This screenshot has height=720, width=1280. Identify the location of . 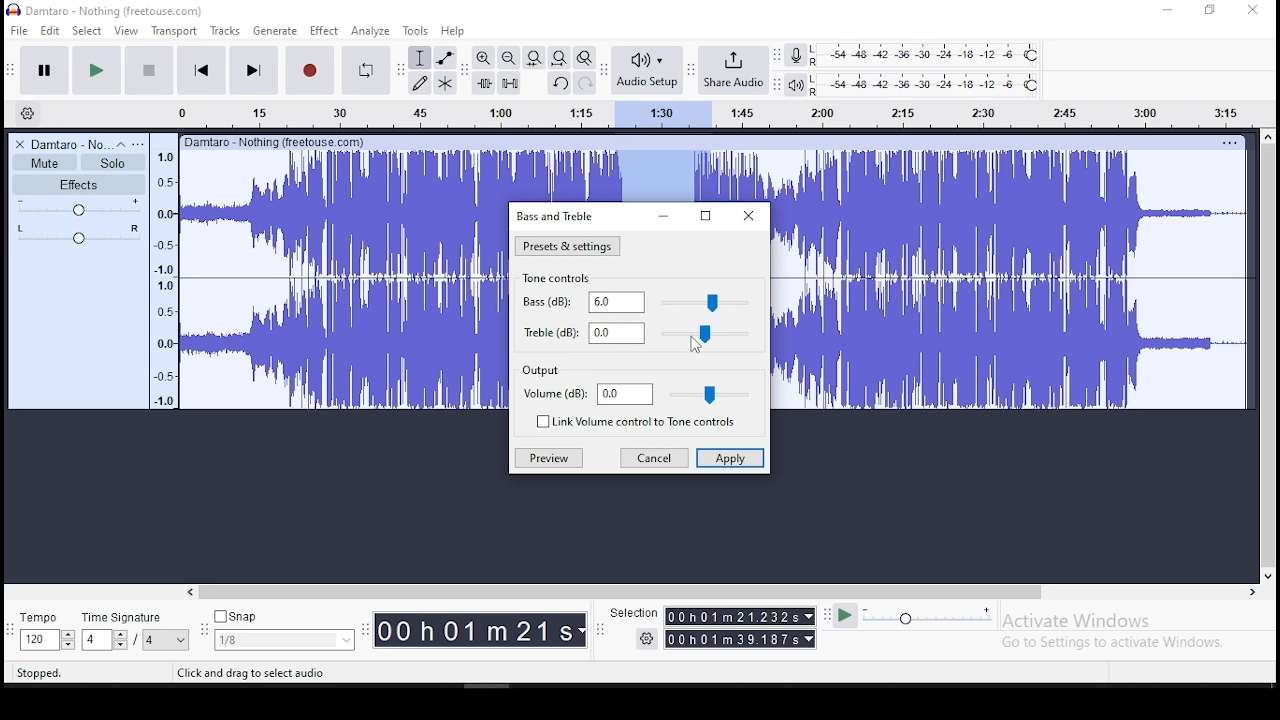
(775, 53).